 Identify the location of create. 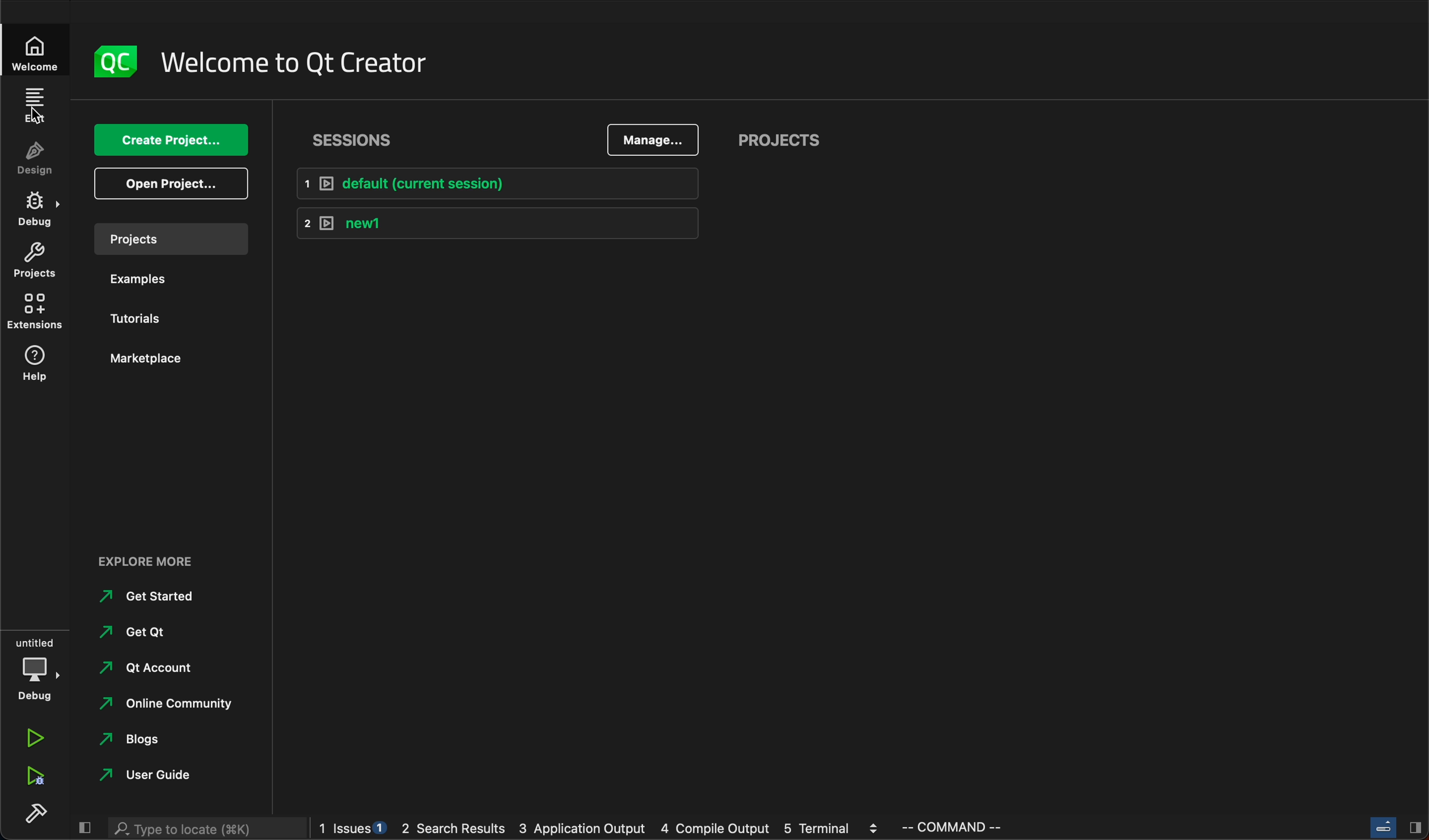
(175, 139).